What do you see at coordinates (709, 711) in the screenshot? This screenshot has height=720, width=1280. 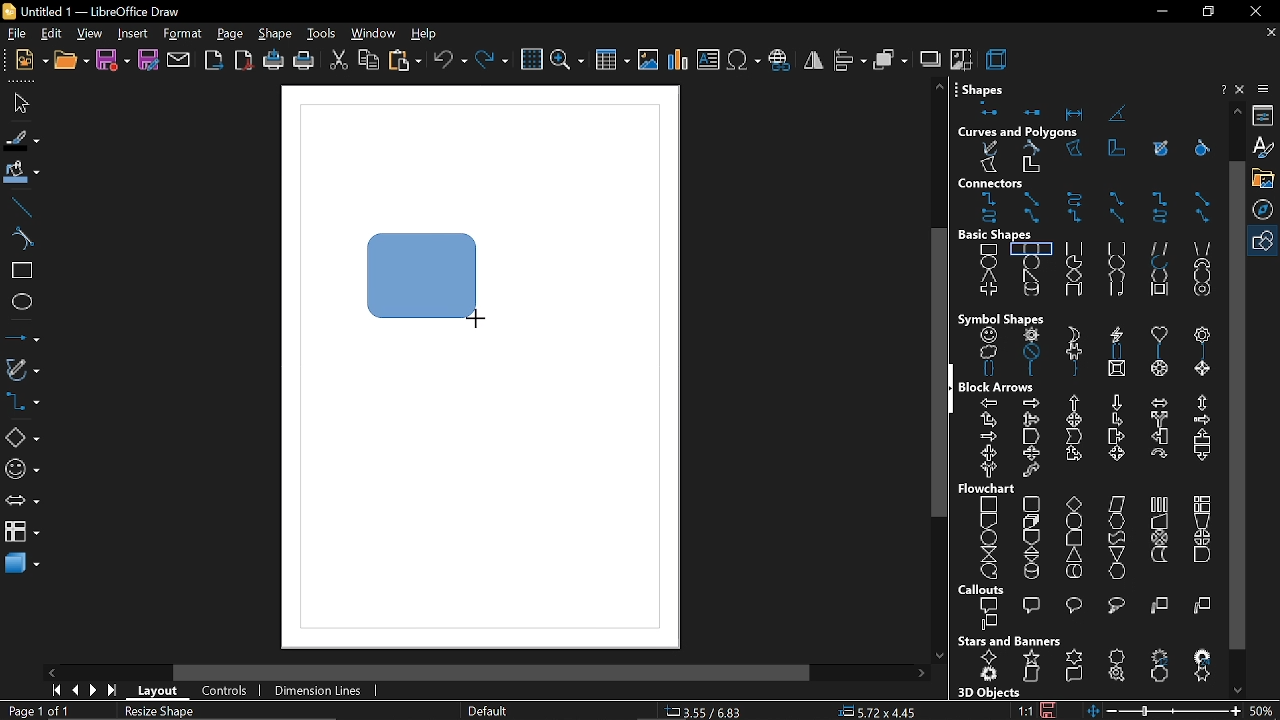 I see `co-ordinate` at bounding box center [709, 711].